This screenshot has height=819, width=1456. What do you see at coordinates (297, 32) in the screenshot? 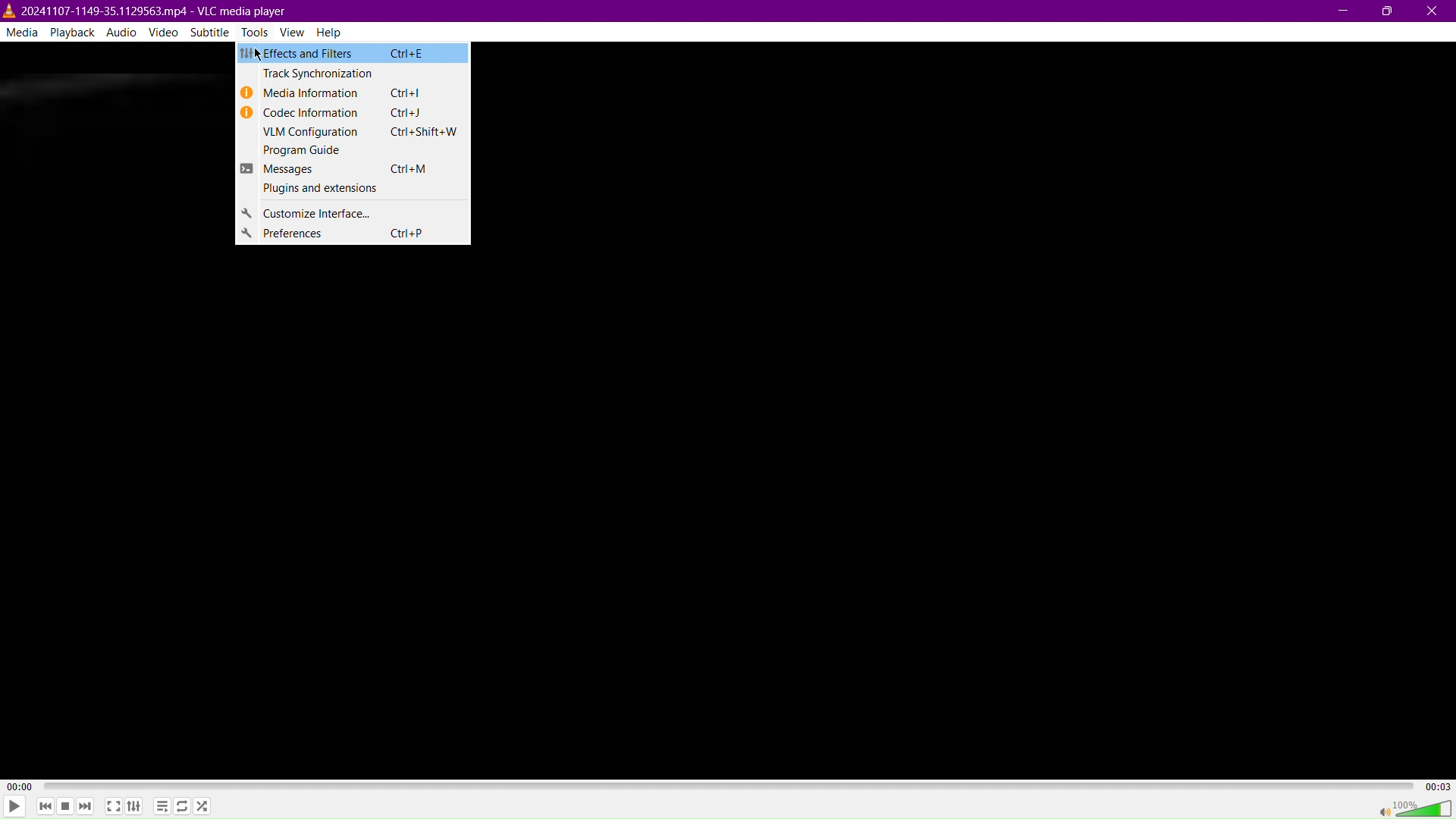
I see `View` at bounding box center [297, 32].